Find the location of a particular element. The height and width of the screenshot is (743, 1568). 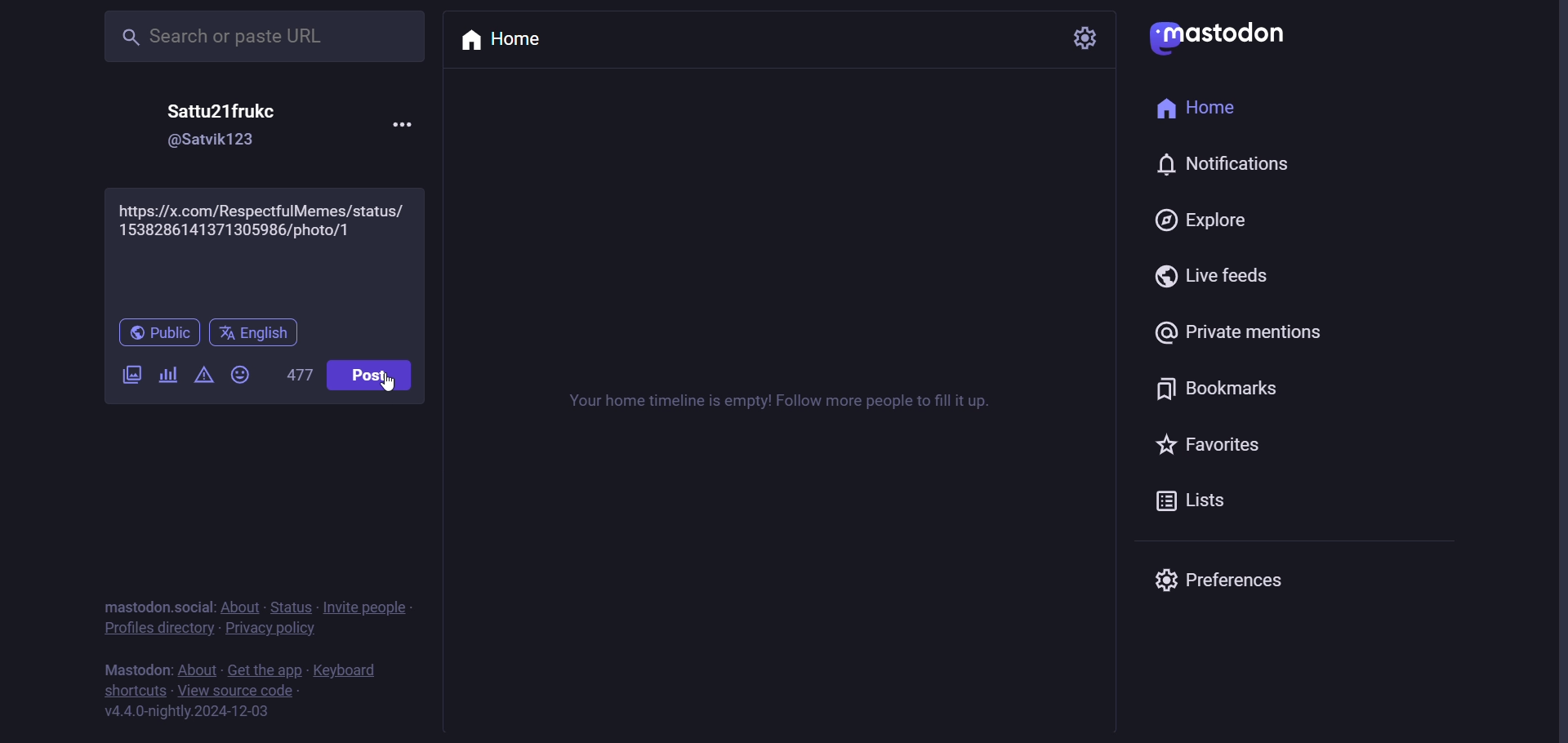

view source code is located at coordinates (238, 692).